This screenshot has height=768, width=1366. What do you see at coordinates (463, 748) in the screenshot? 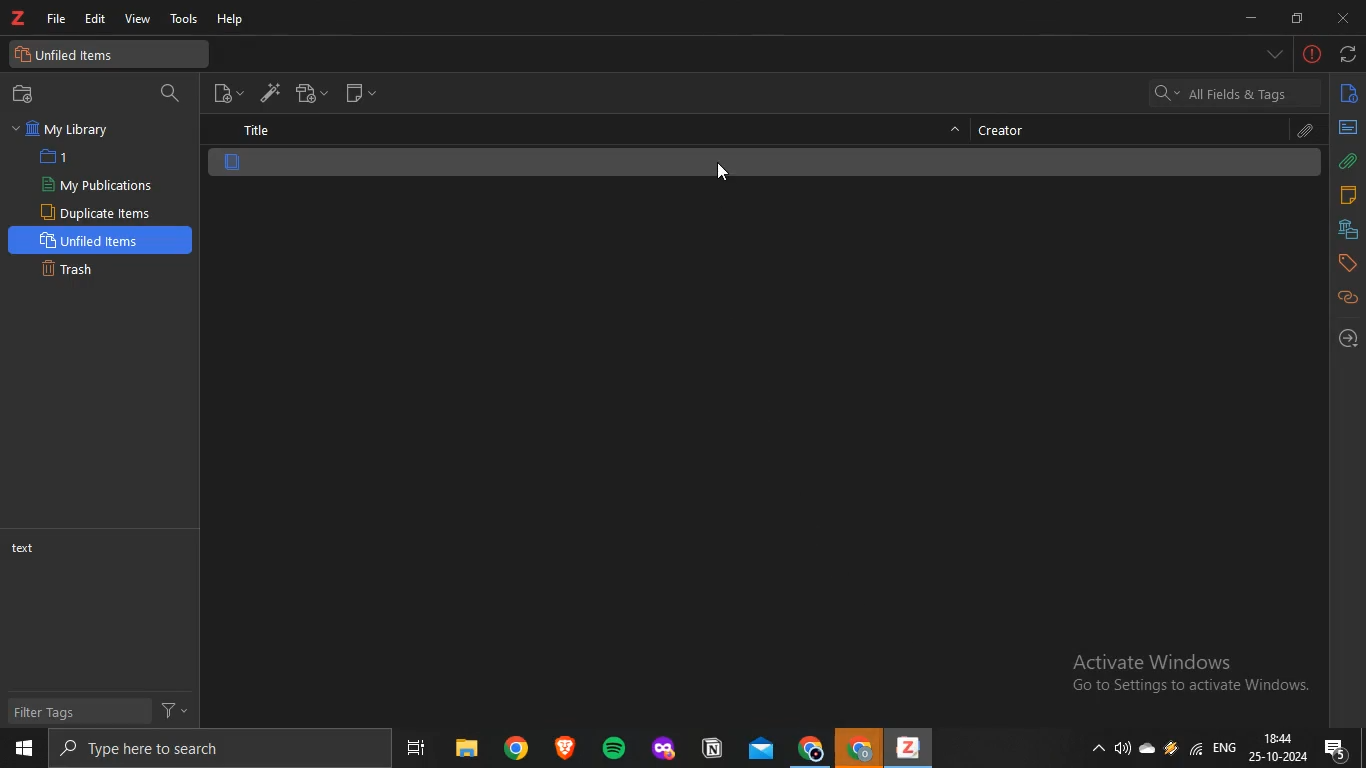
I see `files` at bounding box center [463, 748].